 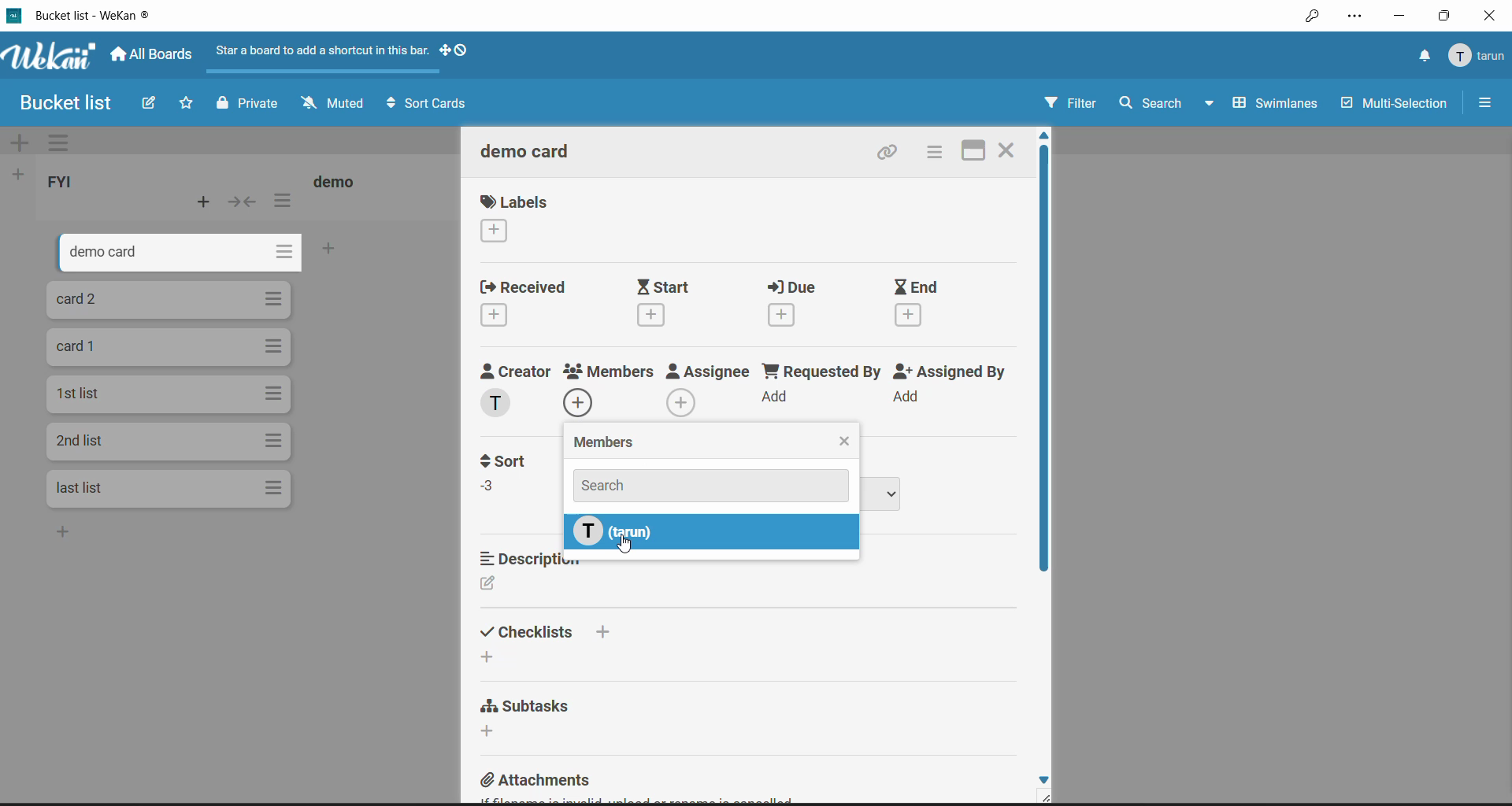 I want to click on collapse, so click(x=246, y=201).